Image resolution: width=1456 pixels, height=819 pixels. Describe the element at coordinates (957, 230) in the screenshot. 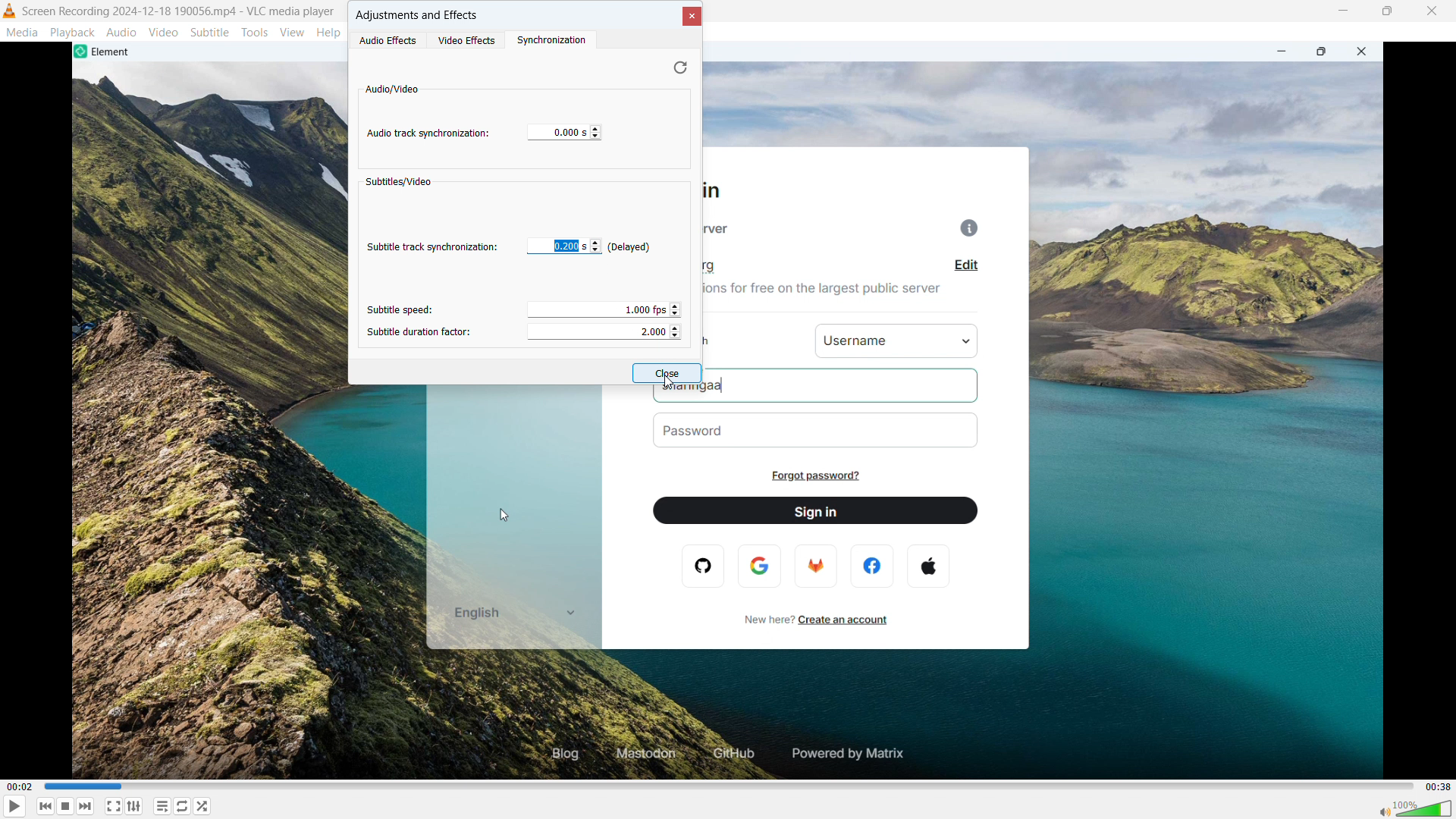

I see `info` at that location.